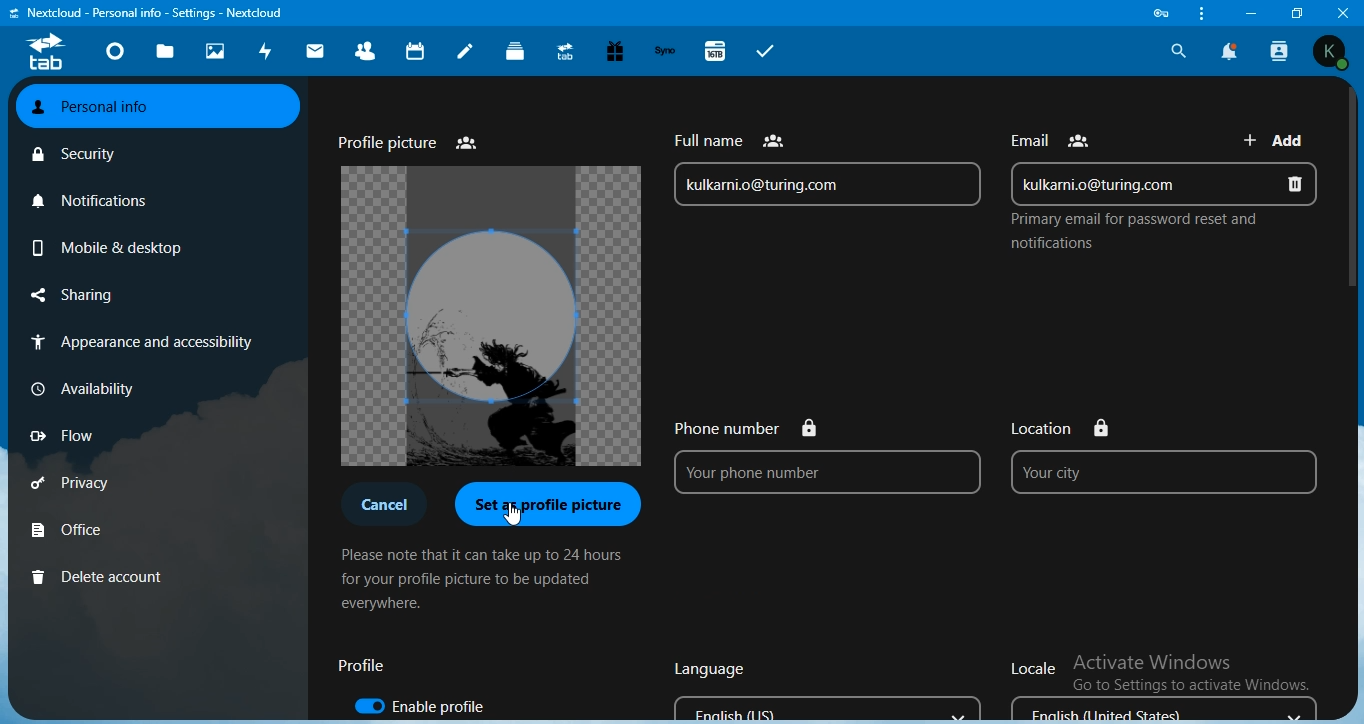 This screenshot has height=724, width=1364. What do you see at coordinates (153, 13) in the screenshot?
I see `text` at bounding box center [153, 13].